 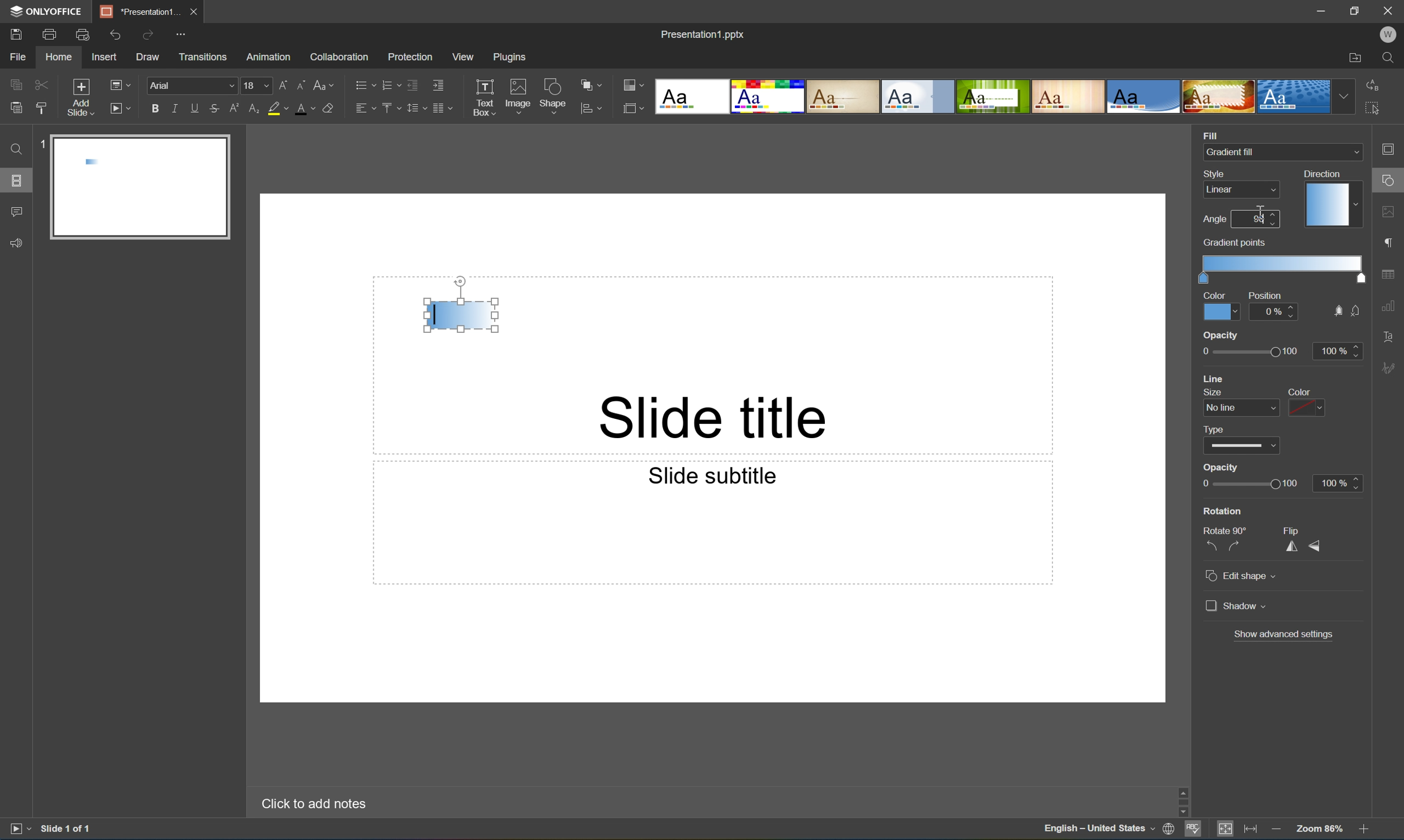 I want to click on Slide settings, so click(x=1392, y=149).